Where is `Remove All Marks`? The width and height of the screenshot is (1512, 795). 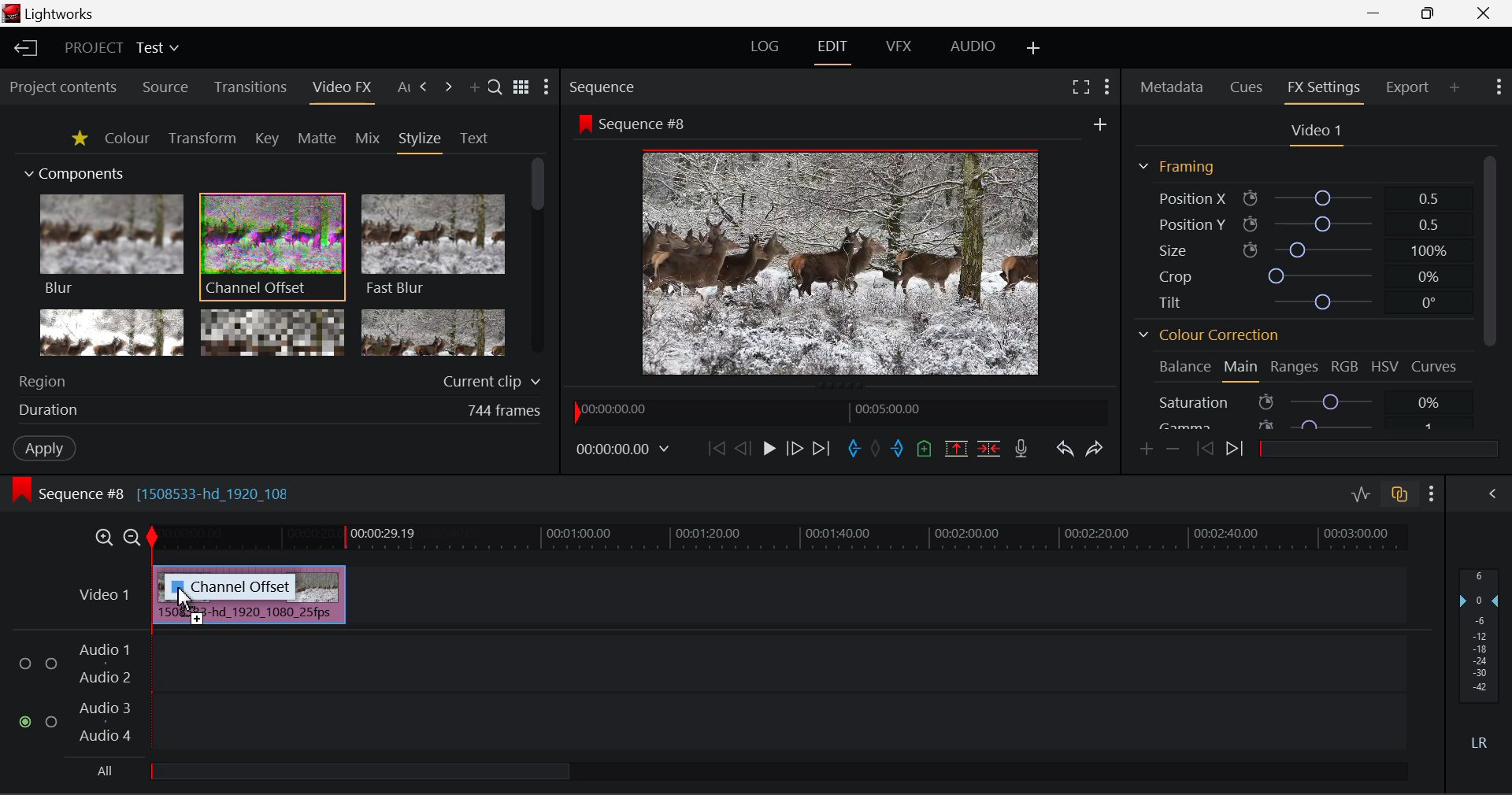
Remove All Marks is located at coordinates (875, 449).